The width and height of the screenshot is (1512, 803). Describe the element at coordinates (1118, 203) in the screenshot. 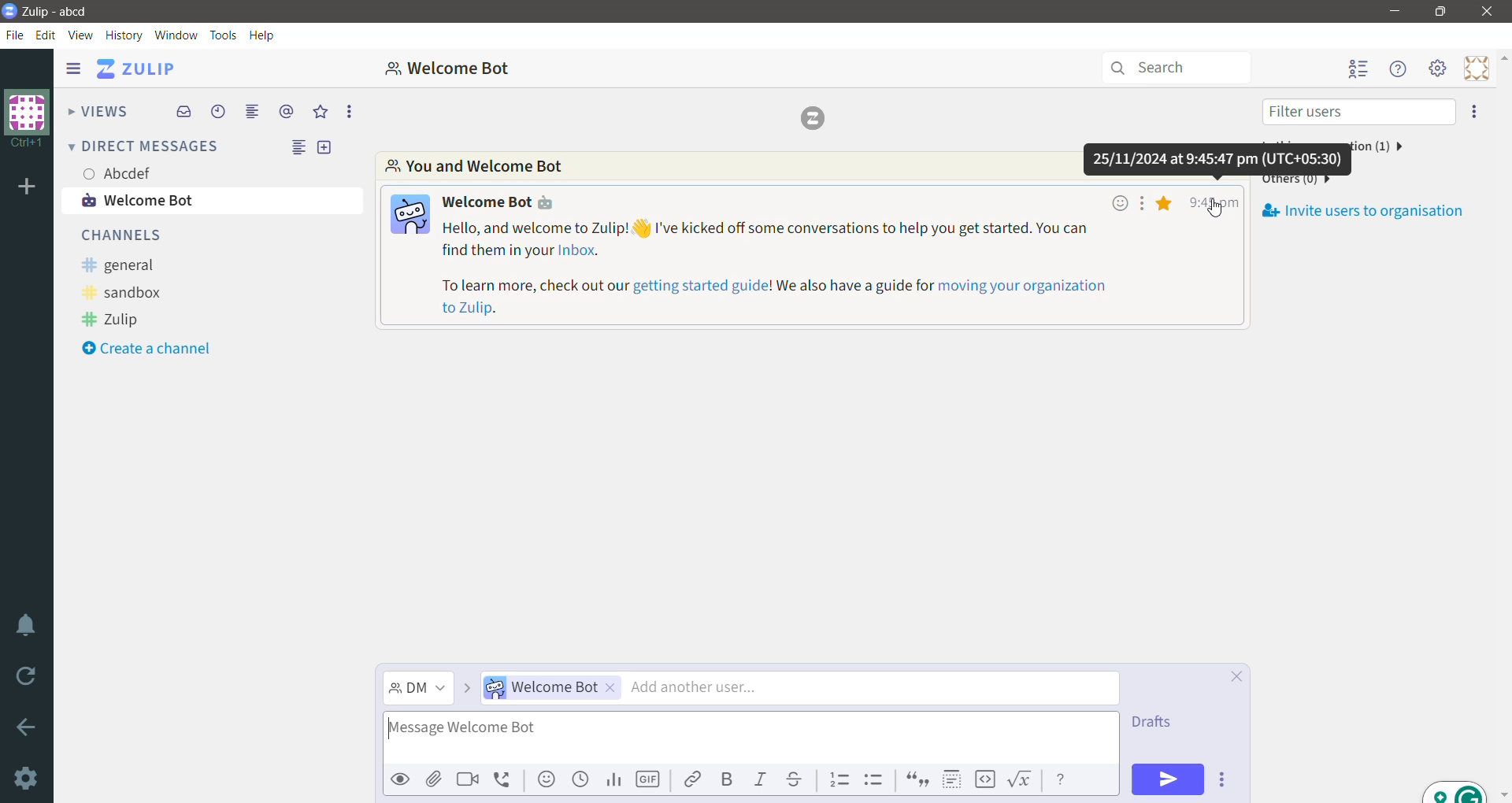

I see `Add emoji reaction` at that location.